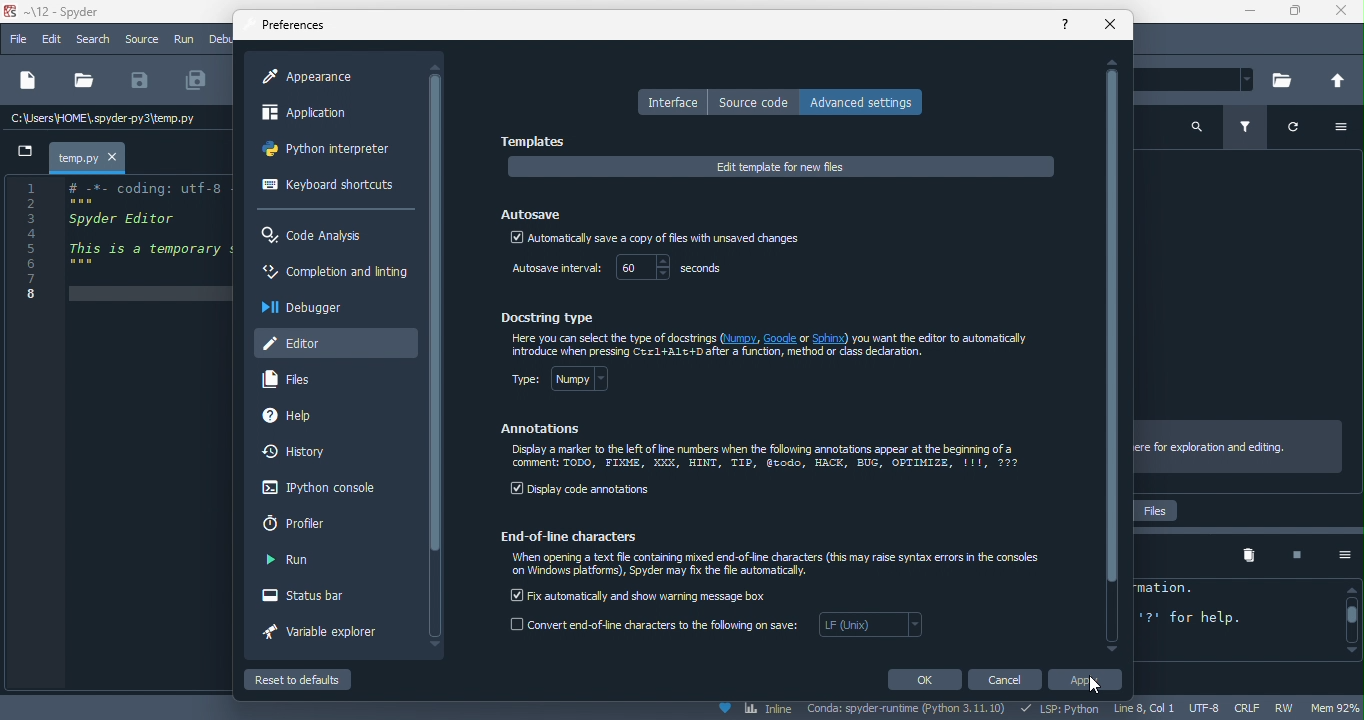  I want to click on variable explorer, so click(331, 635).